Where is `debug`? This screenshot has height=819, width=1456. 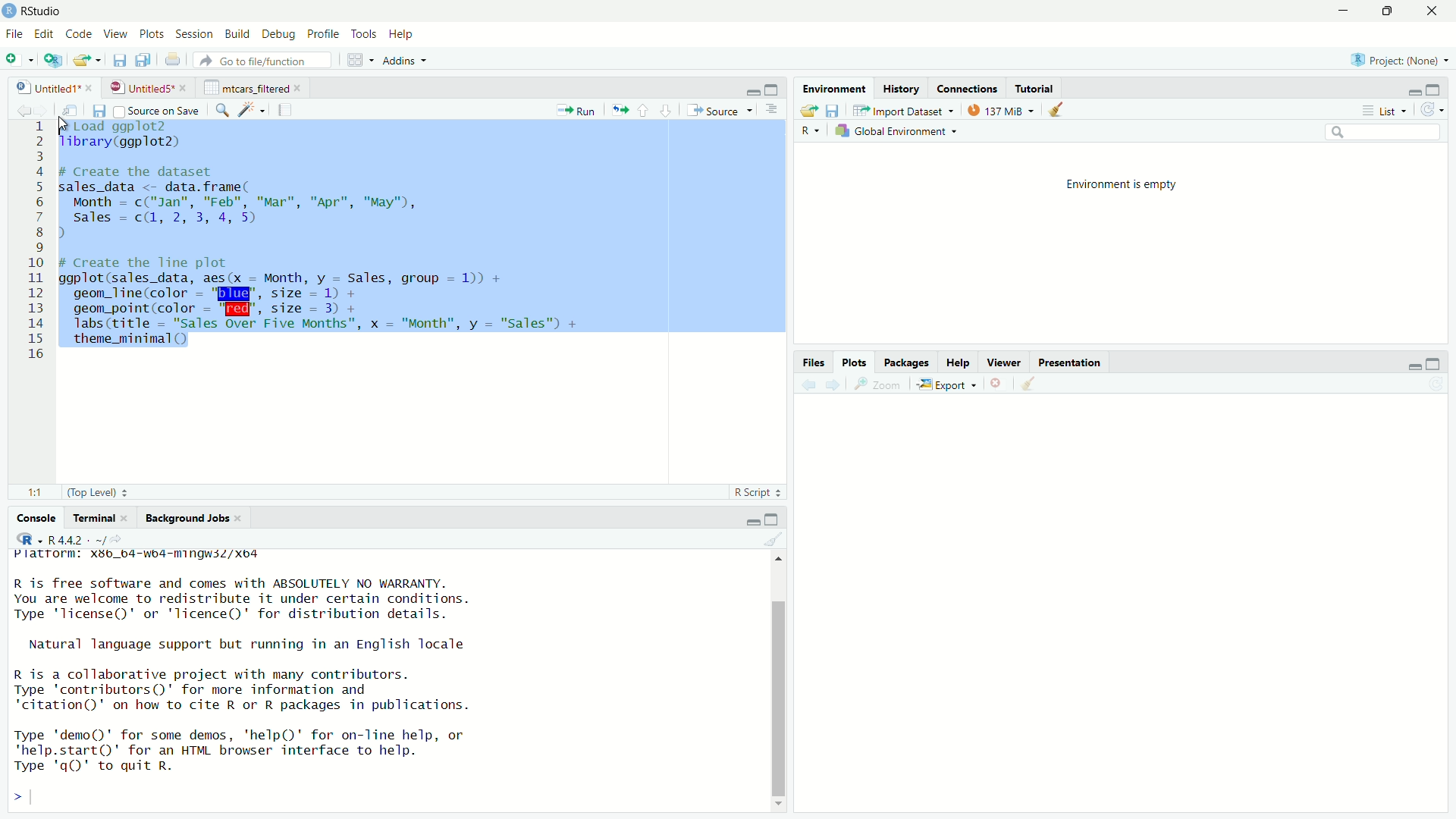
debug is located at coordinates (279, 36).